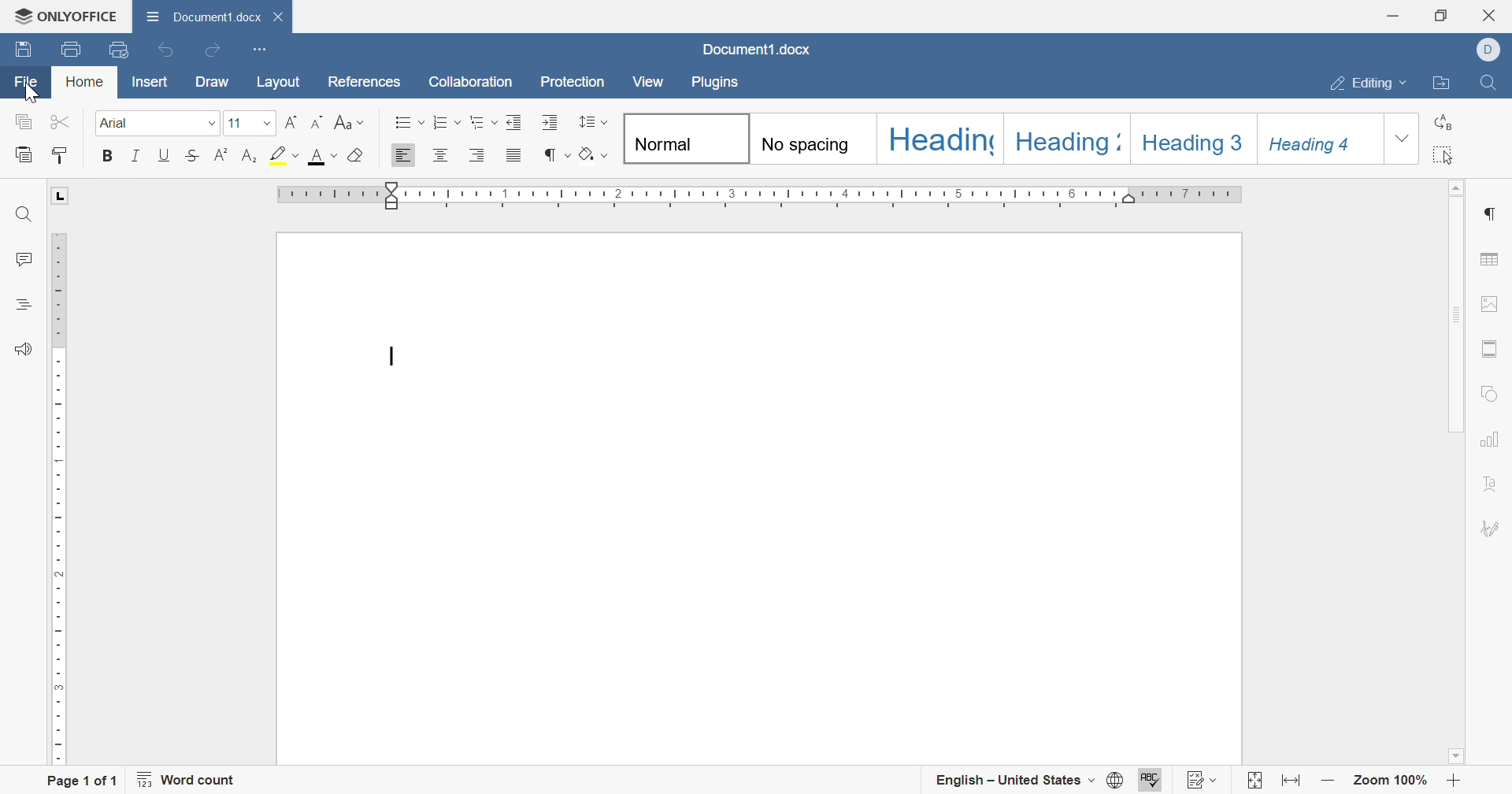 The width and height of the screenshot is (1512, 794). Describe the element at coordinates (247, 157) in the screenshot. I see `subscript` at that location.